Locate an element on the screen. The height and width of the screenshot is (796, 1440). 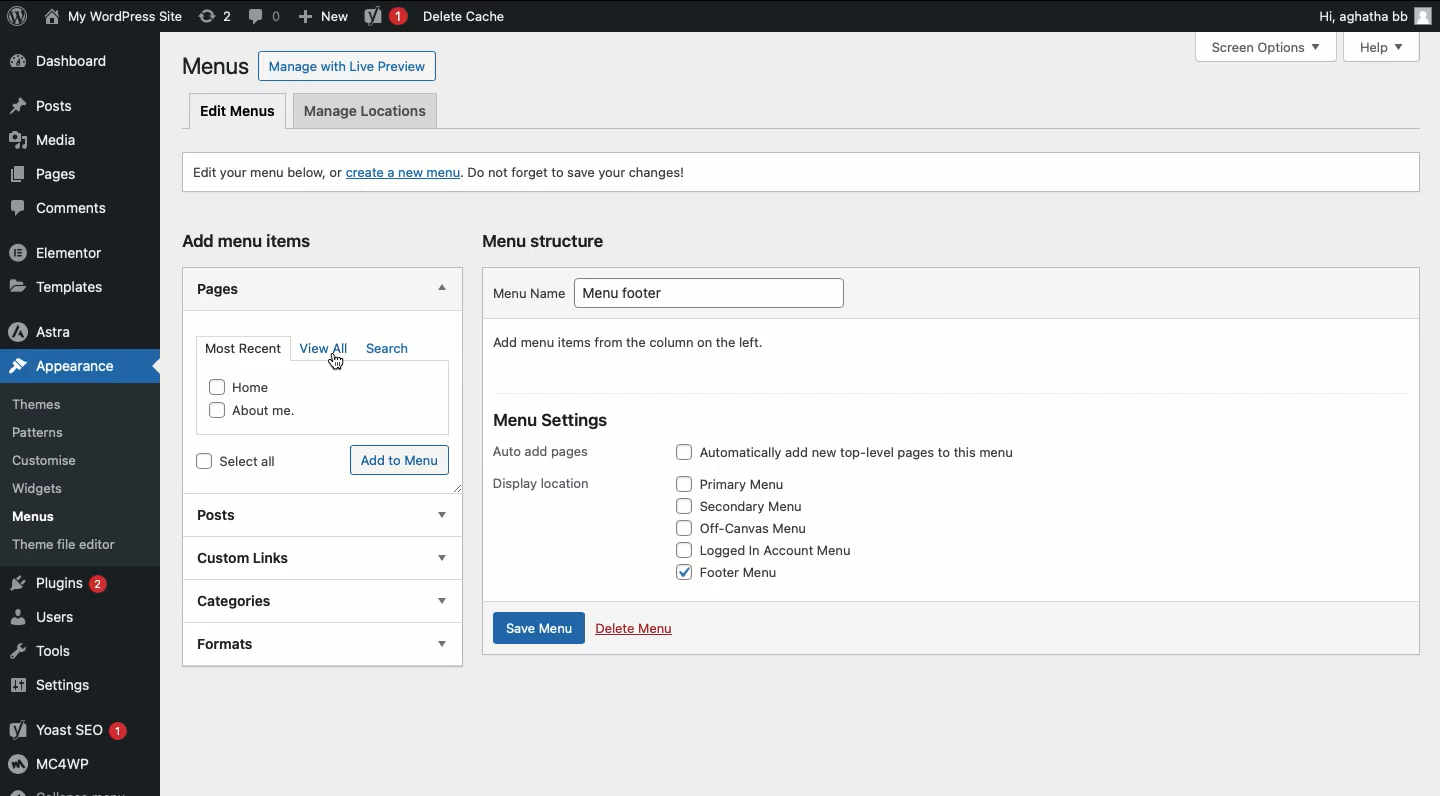
user icon is located at coordinates (1424, 18).